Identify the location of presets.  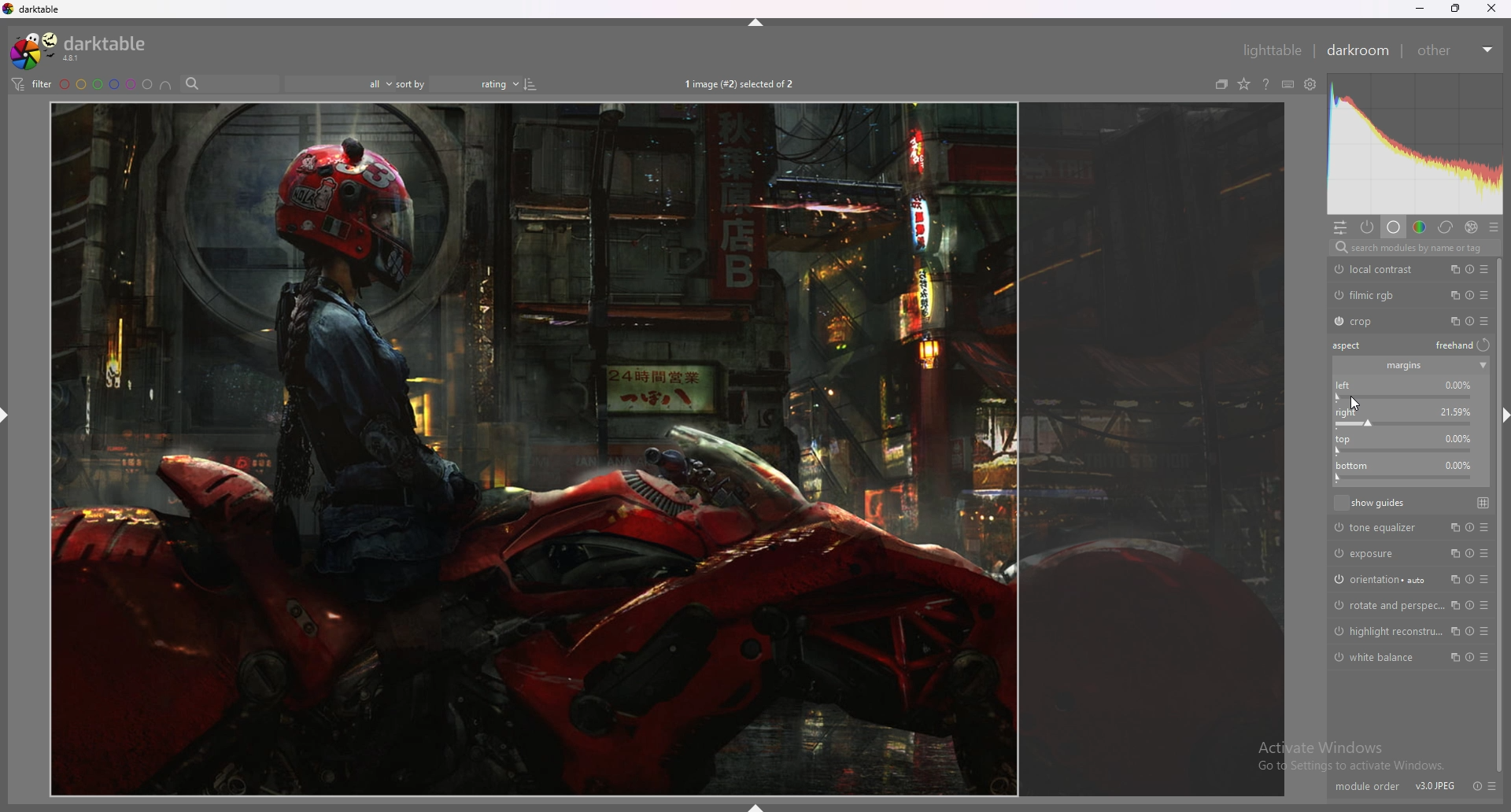
(1485, 580).